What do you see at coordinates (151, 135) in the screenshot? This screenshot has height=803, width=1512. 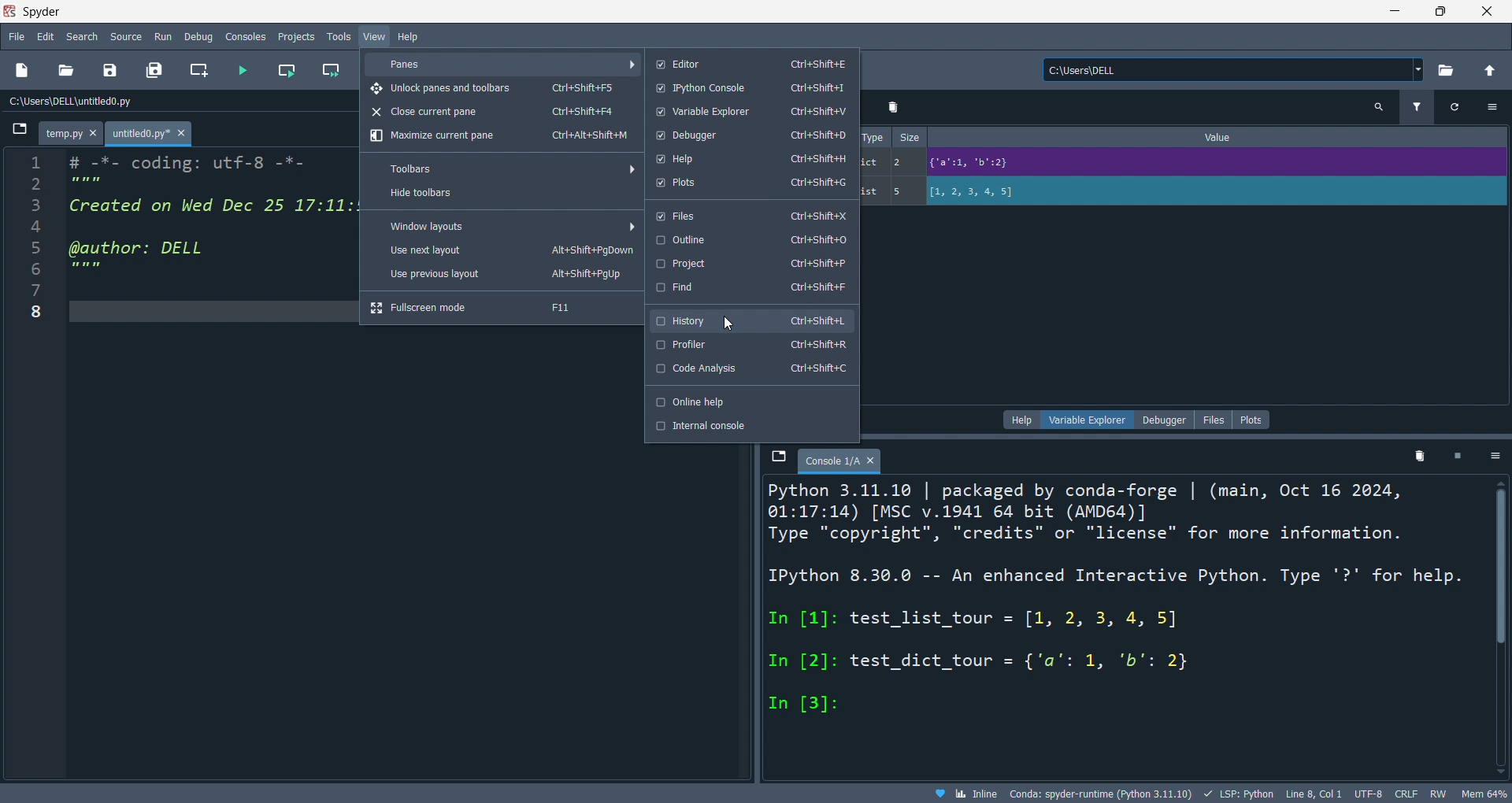 I see `untitled` at bounding box center [151, 135].